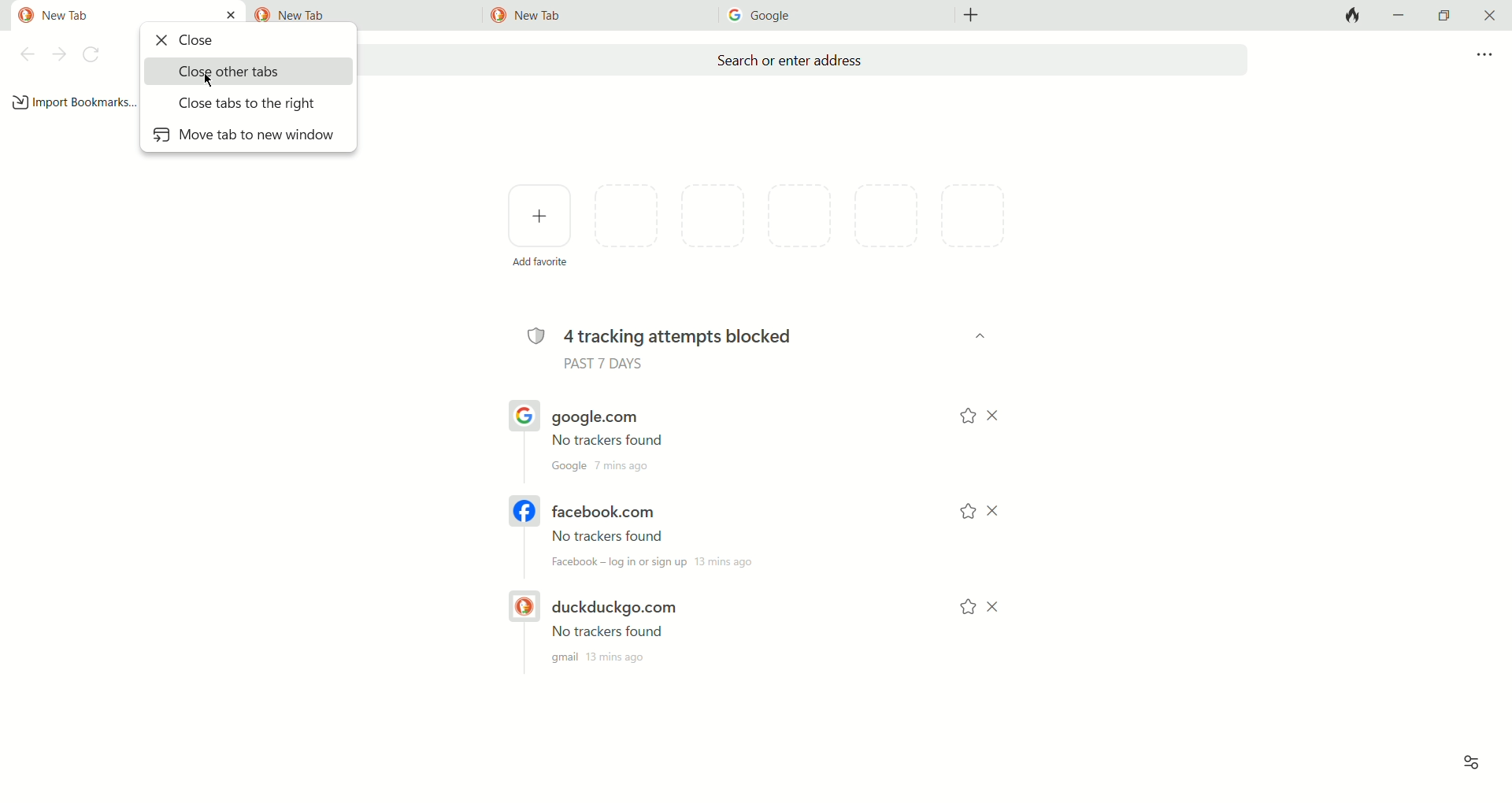 The width and height of the screenshot is (1512, 803). Describe the element at coordinates (250, 72) in the screenshot. I see `close other tabs` at that location.